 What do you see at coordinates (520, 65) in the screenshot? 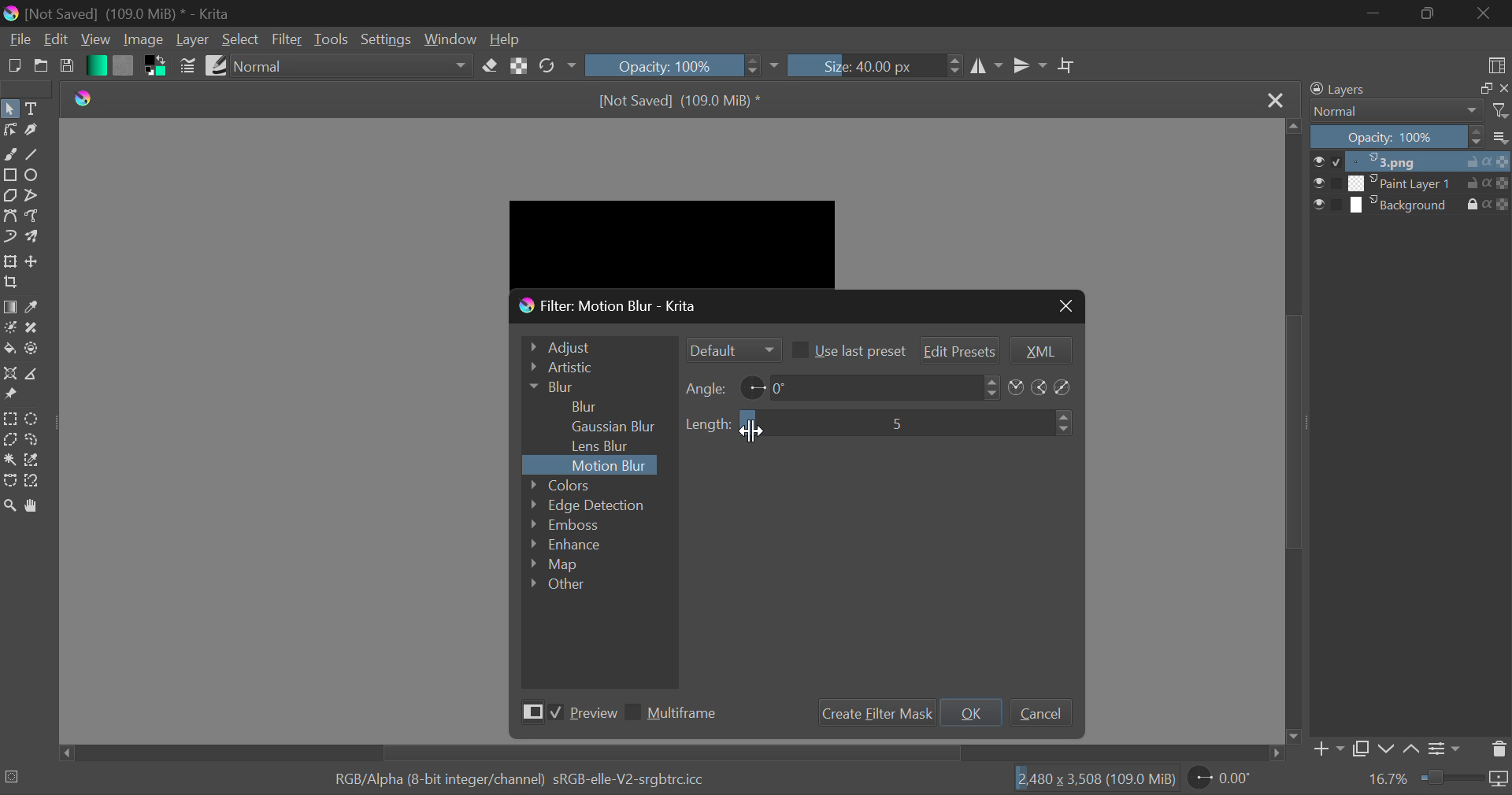
I see `Lock Alpha` at bounding box center [520, 65].